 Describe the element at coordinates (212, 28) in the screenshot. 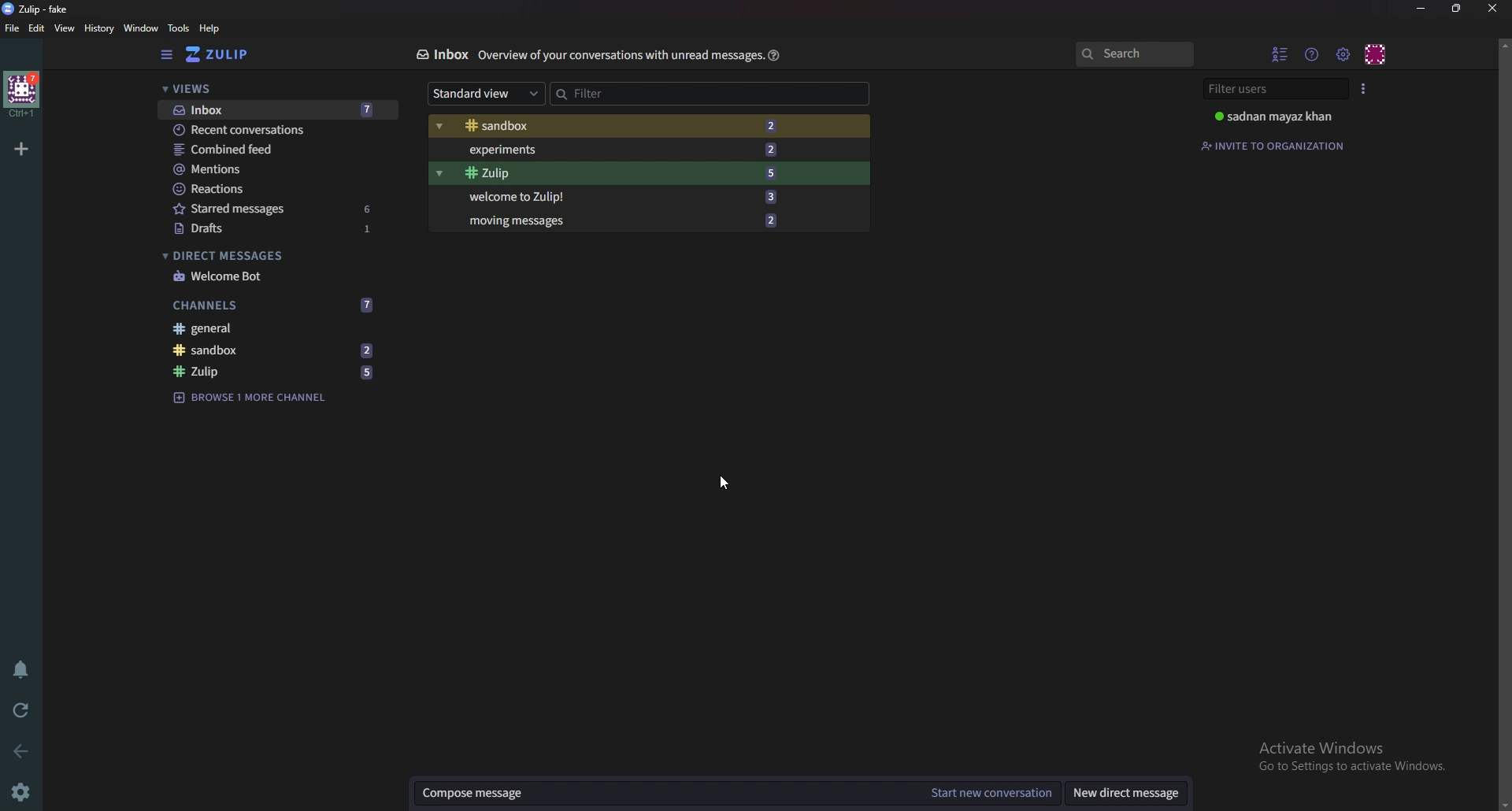

I see `Help` at that location.